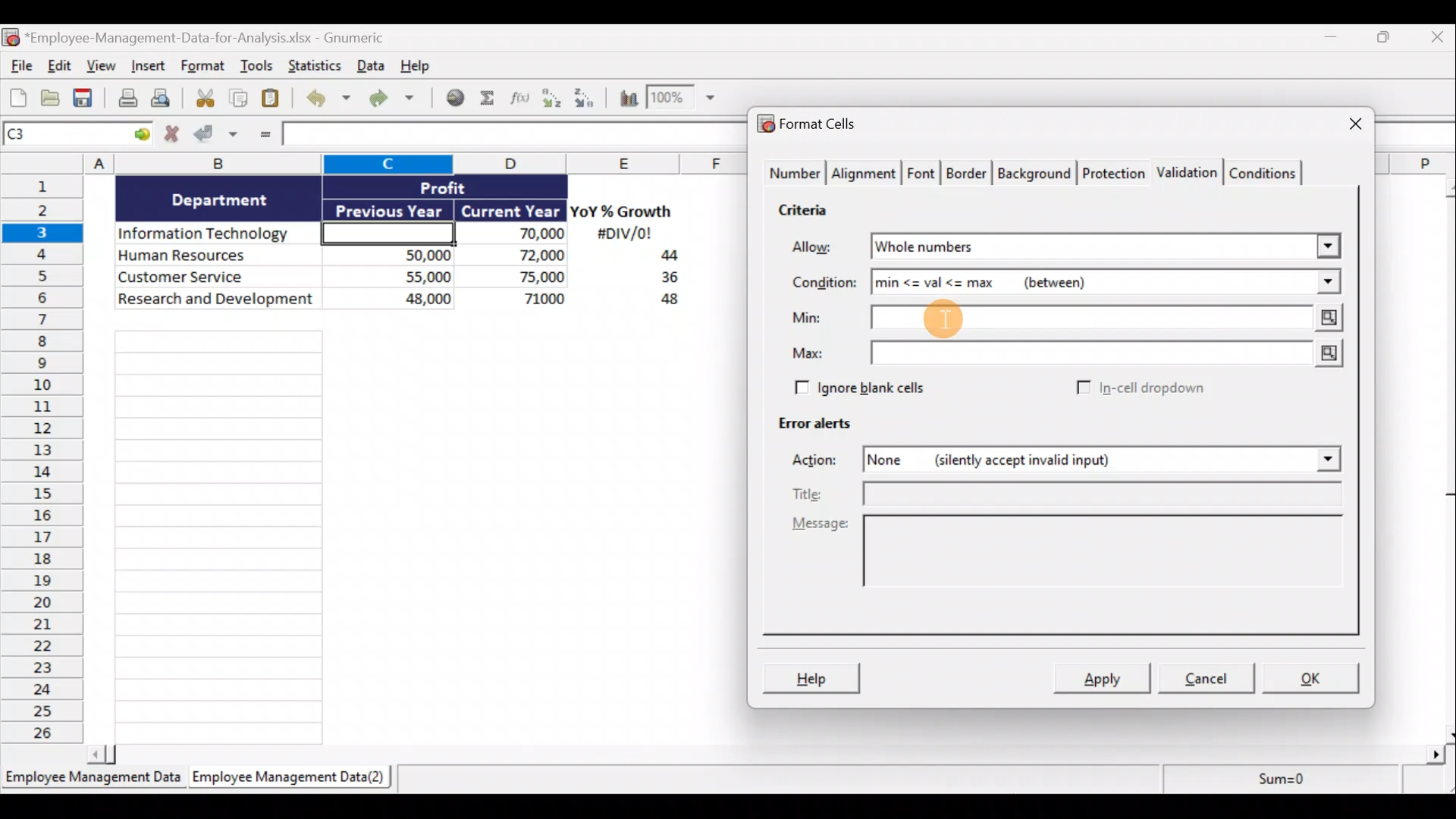  I want to click on Error alerts, so click(821, 430).